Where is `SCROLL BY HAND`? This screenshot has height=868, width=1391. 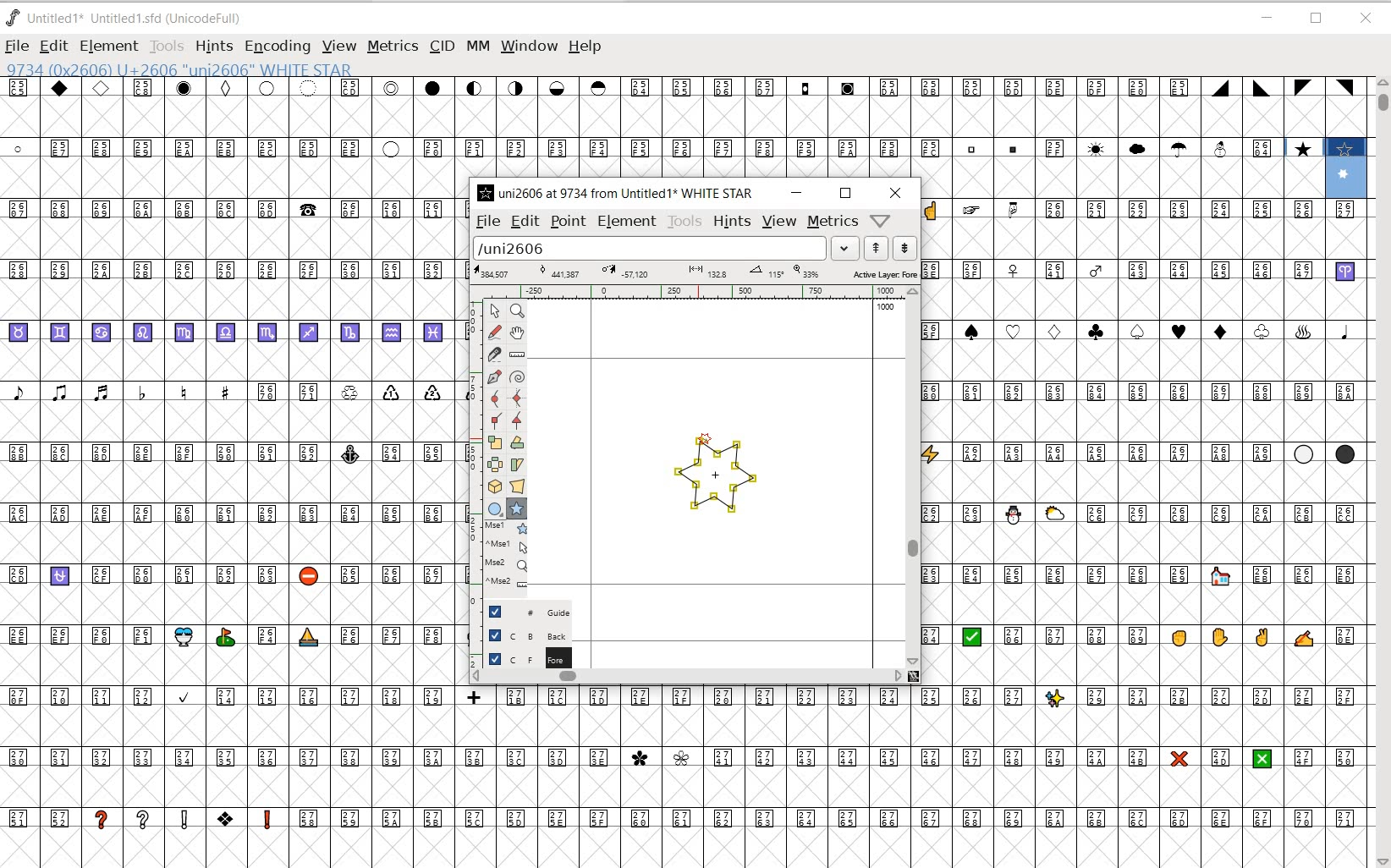
SCROLL BY HAND is located at coordinates (516, 333).